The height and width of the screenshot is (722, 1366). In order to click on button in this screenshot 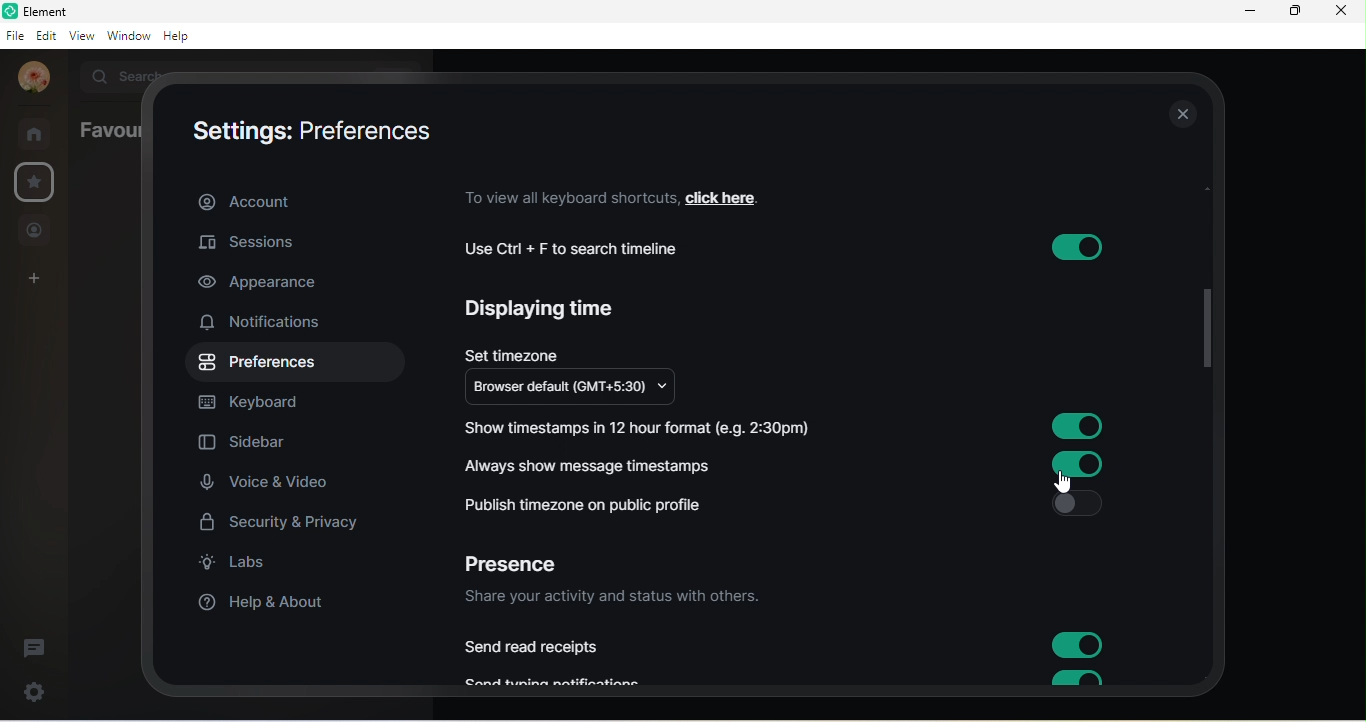, I will do `click(1073, 247)`.